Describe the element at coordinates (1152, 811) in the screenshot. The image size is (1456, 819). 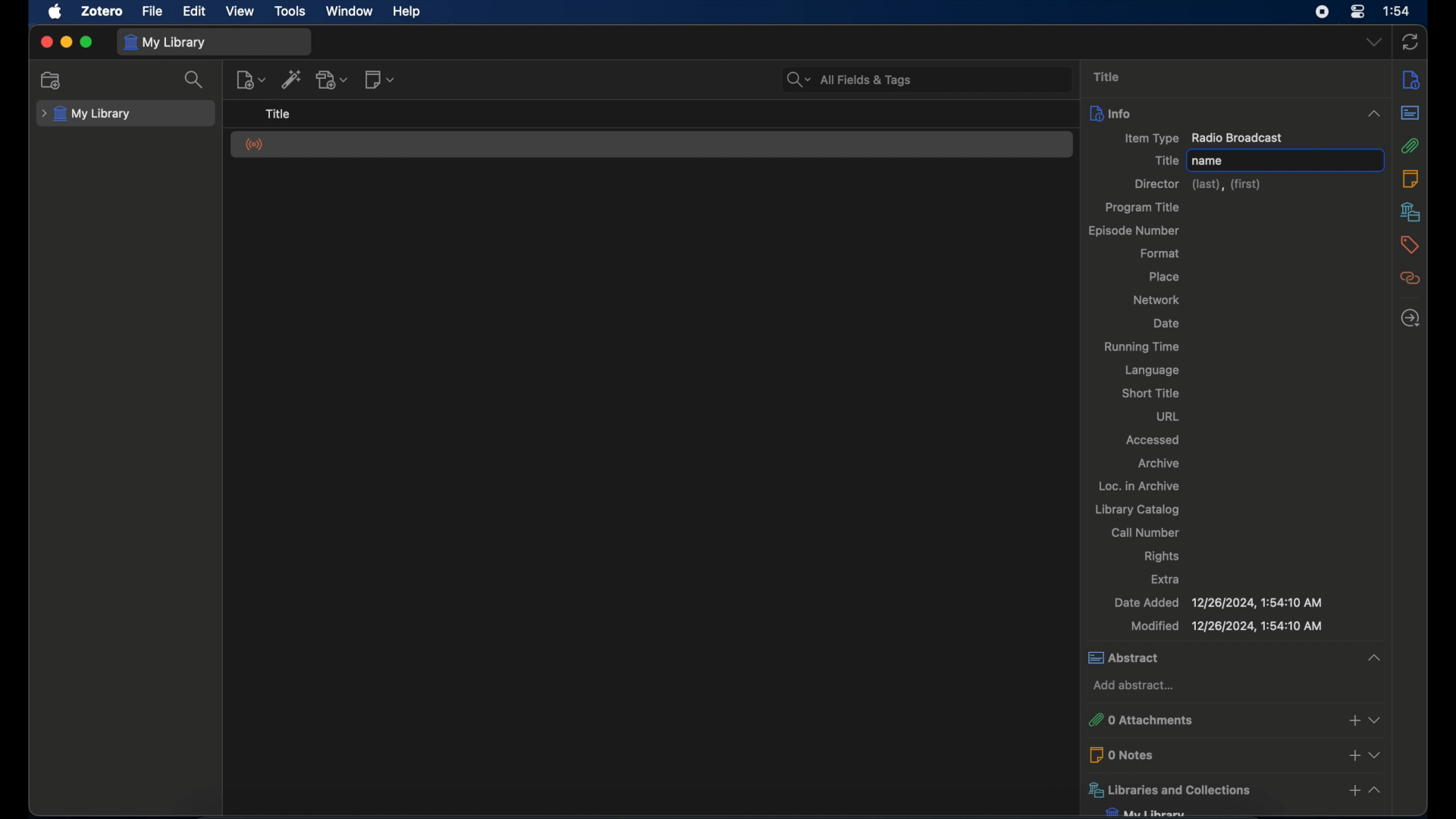
I see `my library` at that location.